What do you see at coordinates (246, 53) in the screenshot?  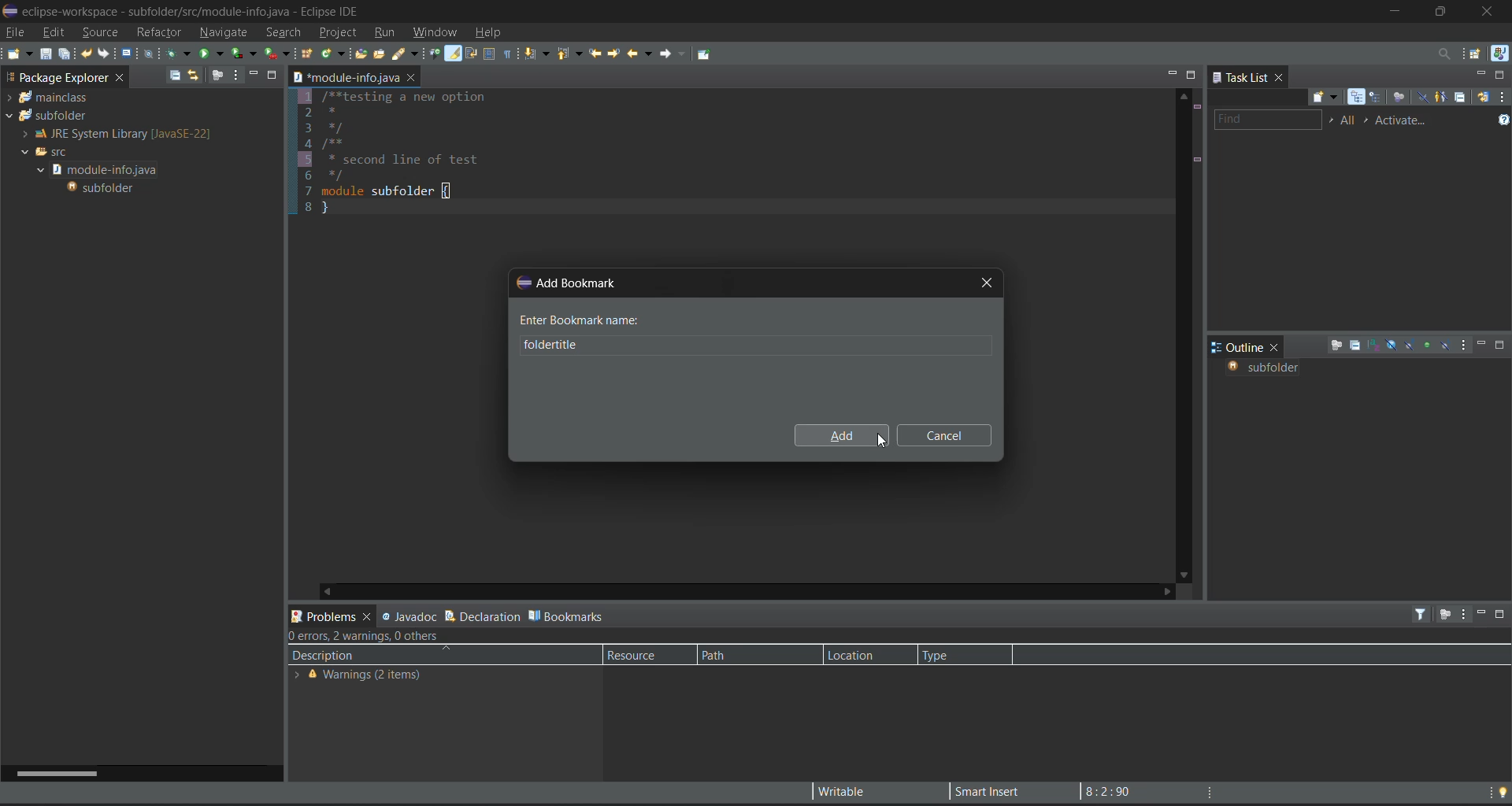 I see `coverage` at bounding box center [246, 53].